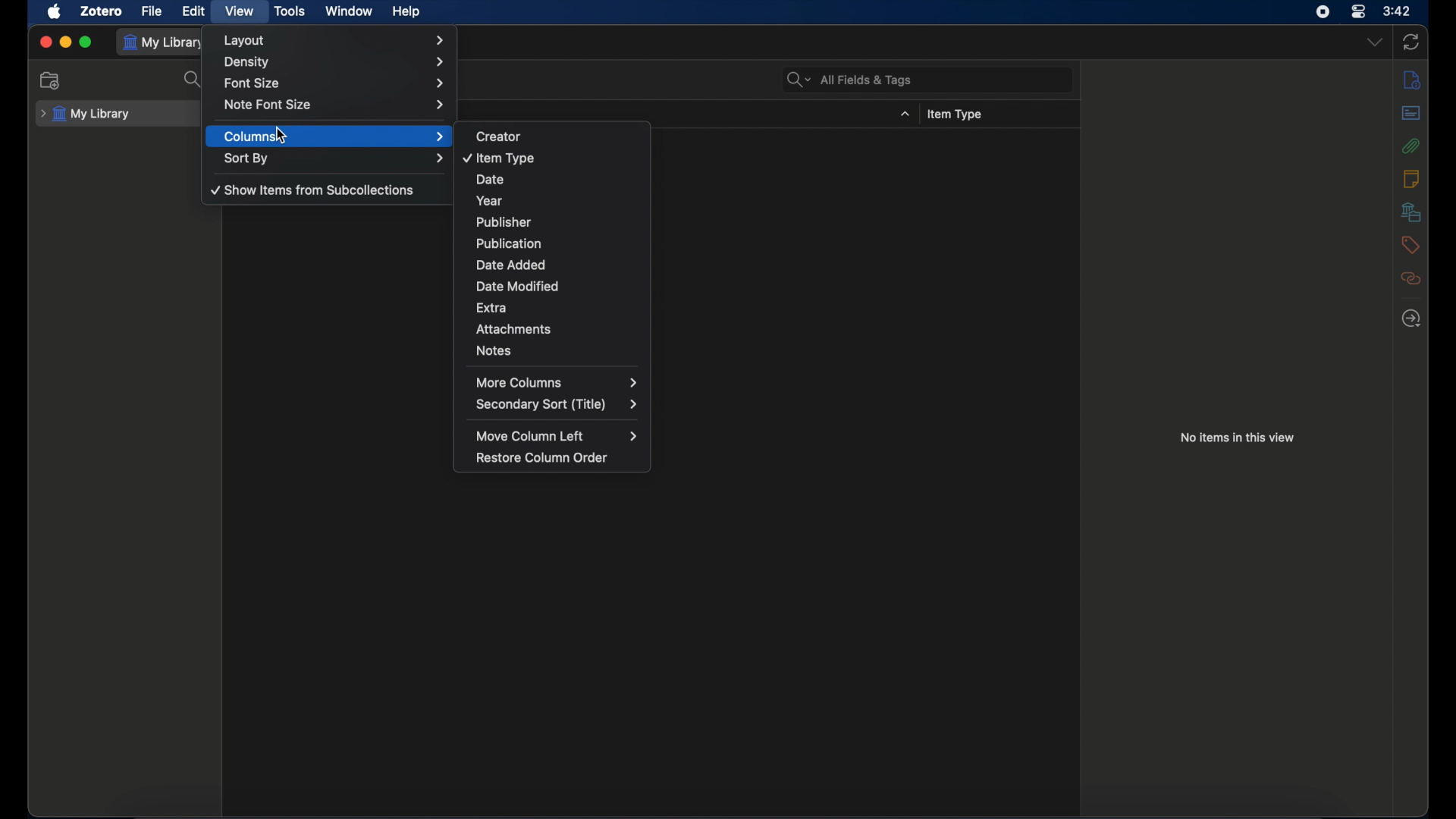 This screenshot has width=1456, height=819. I want to click on search, so click(194, 80).